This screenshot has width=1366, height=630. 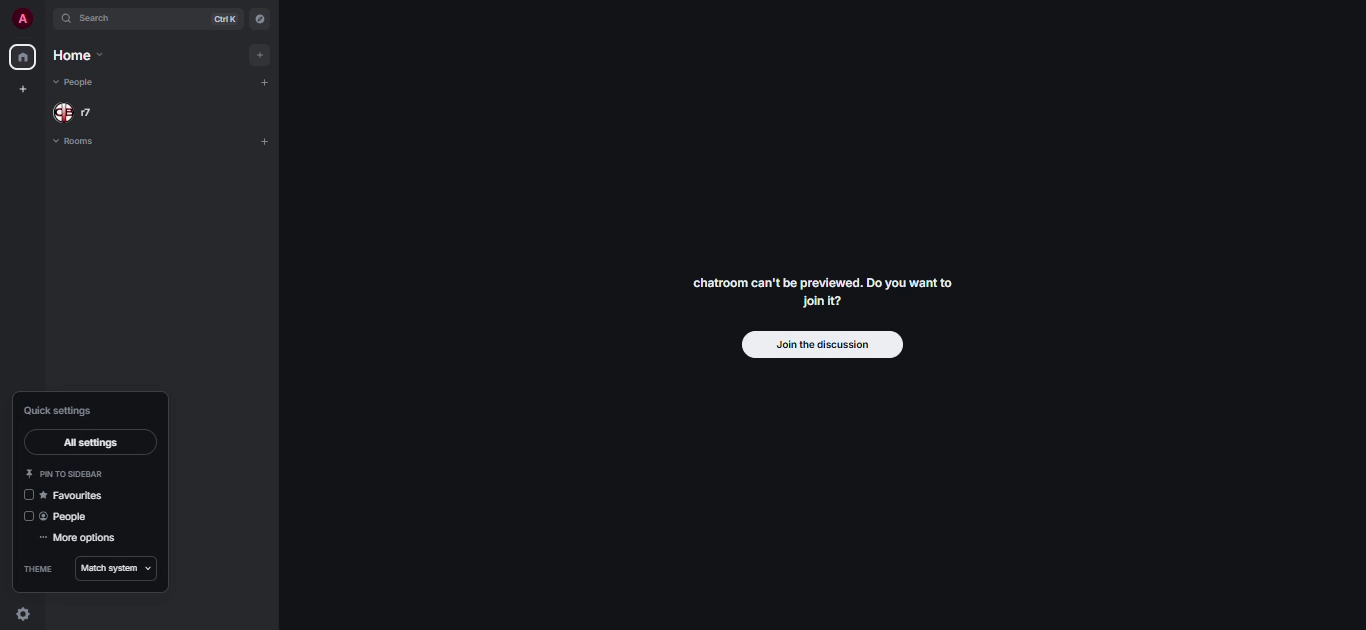 What do you see at coordinates (71, 518) in the screenshot?
I see `people` at bounding box center [71, 518].